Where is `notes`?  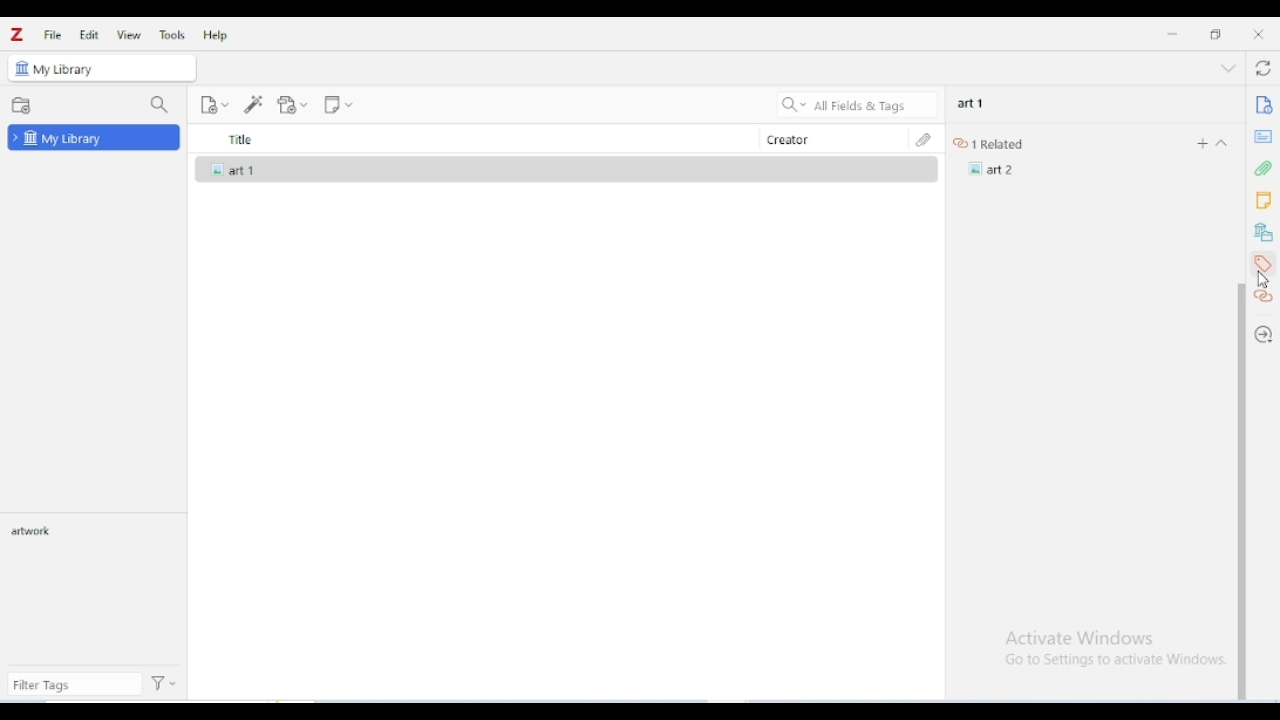
notes is located at coordinates (1263, 200).